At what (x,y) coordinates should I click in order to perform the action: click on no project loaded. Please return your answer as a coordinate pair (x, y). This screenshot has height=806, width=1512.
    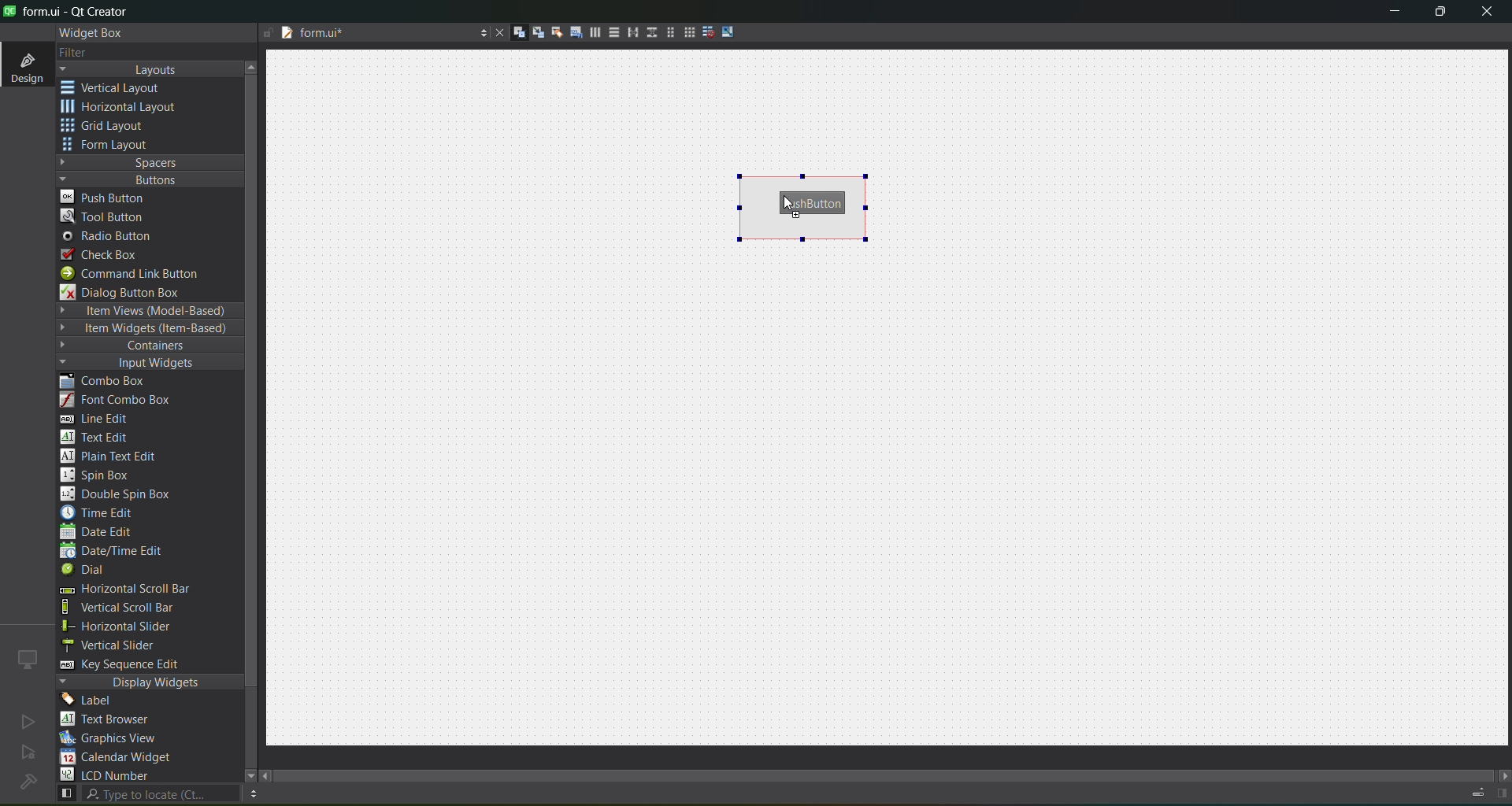
    Looking at the image, I should click on (28, 782).